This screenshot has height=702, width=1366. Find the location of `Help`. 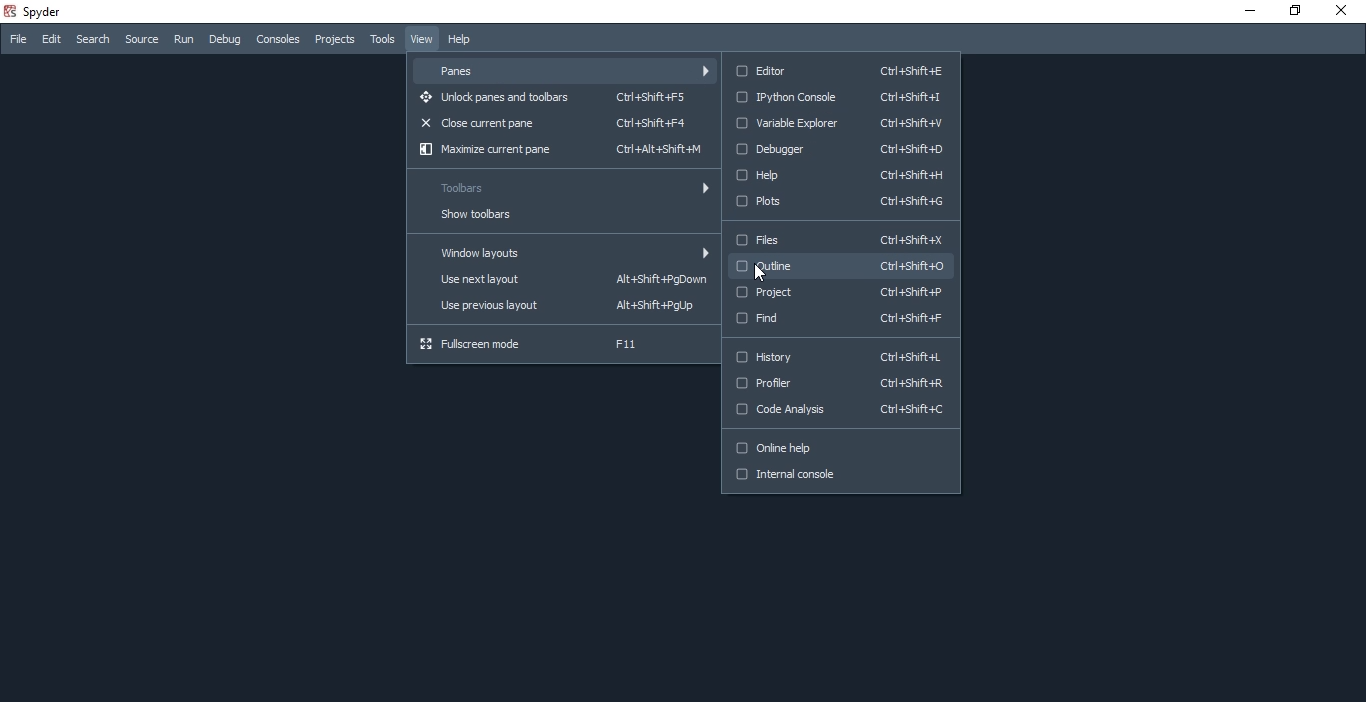

Help is located at coordinates (839, 172).